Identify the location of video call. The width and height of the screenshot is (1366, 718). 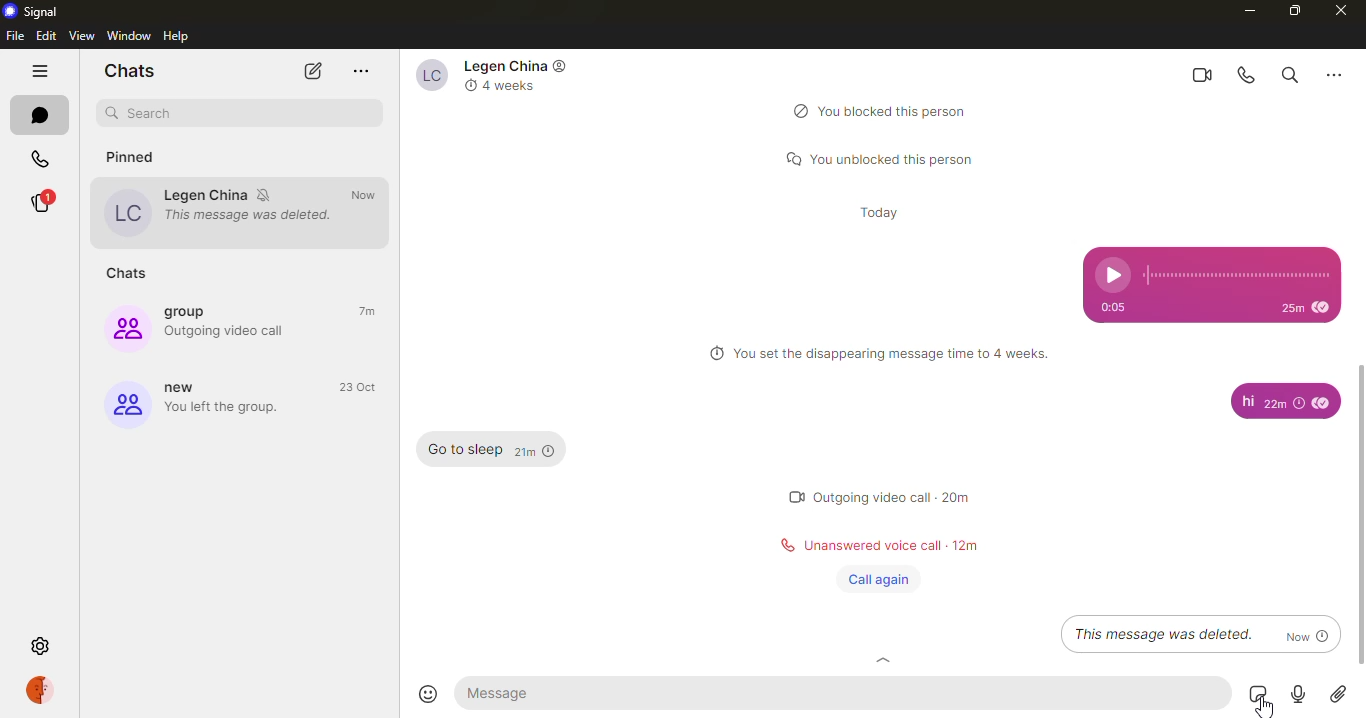
(1196, 74).